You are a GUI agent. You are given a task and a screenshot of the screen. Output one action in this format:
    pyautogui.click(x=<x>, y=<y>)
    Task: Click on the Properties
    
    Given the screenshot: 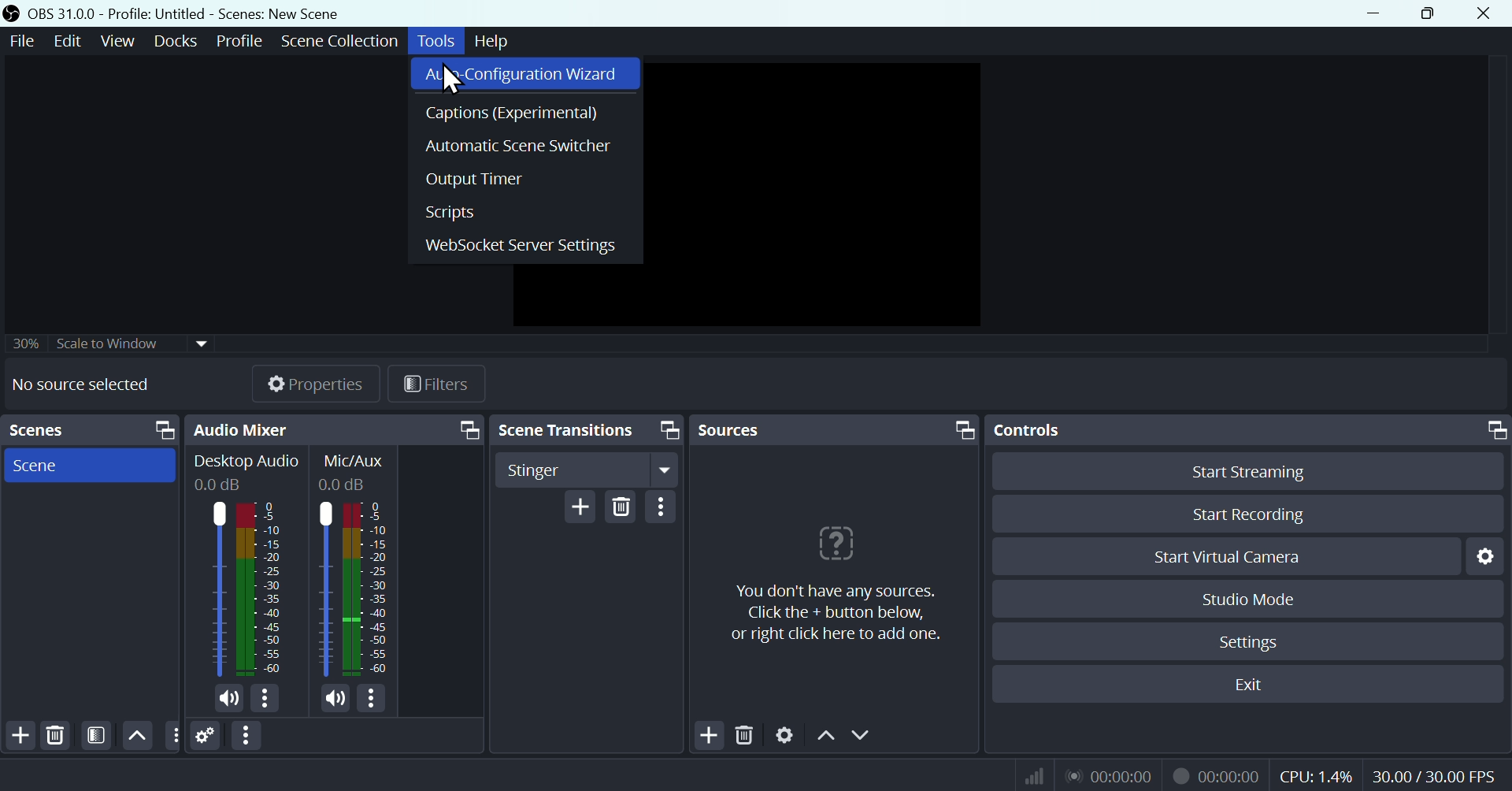 What is the action you would take?
    pyautogui.click(x=301, y=383)
    